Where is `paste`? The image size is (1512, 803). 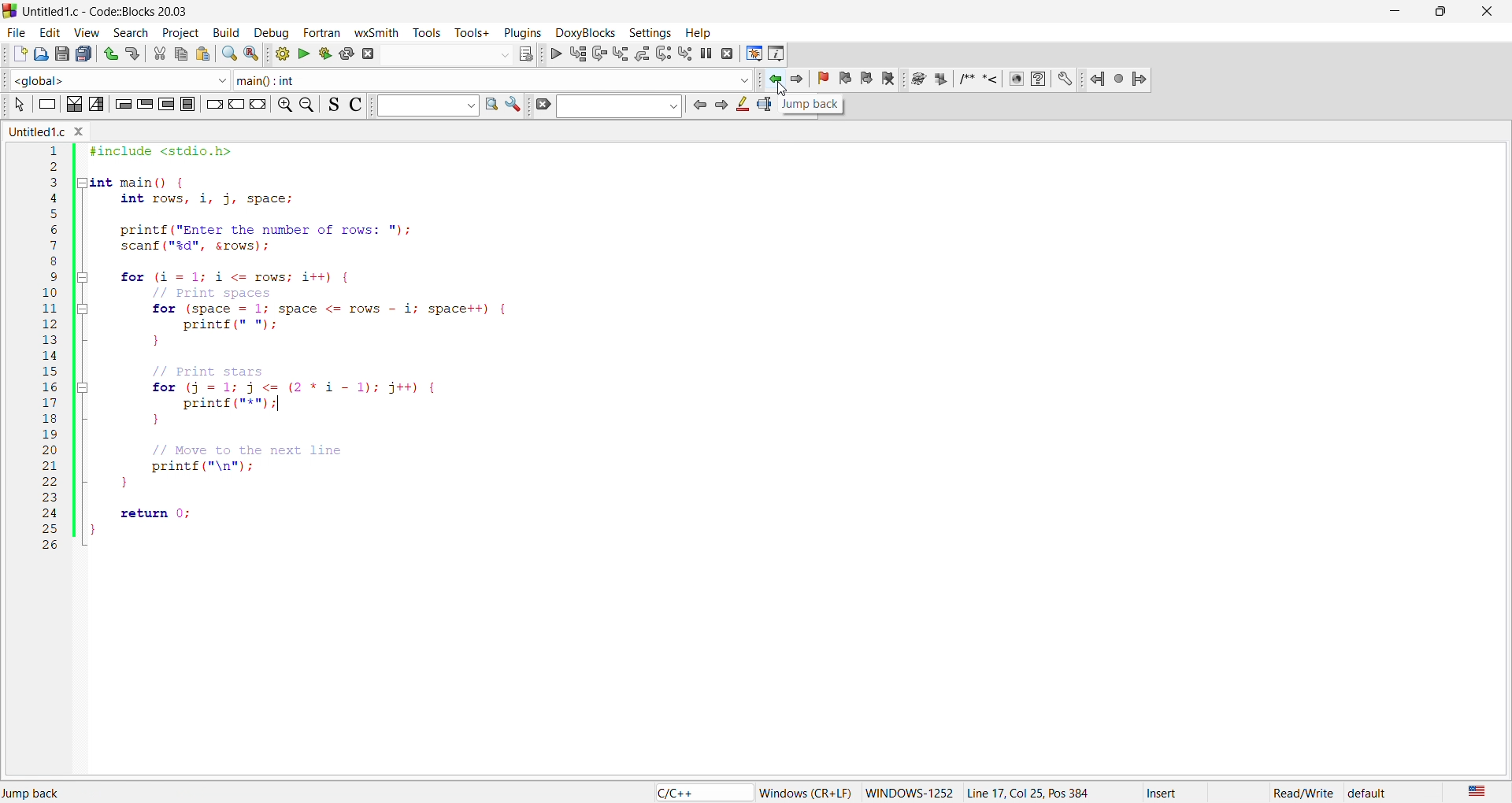
paste is located at coordinates (203, 52).